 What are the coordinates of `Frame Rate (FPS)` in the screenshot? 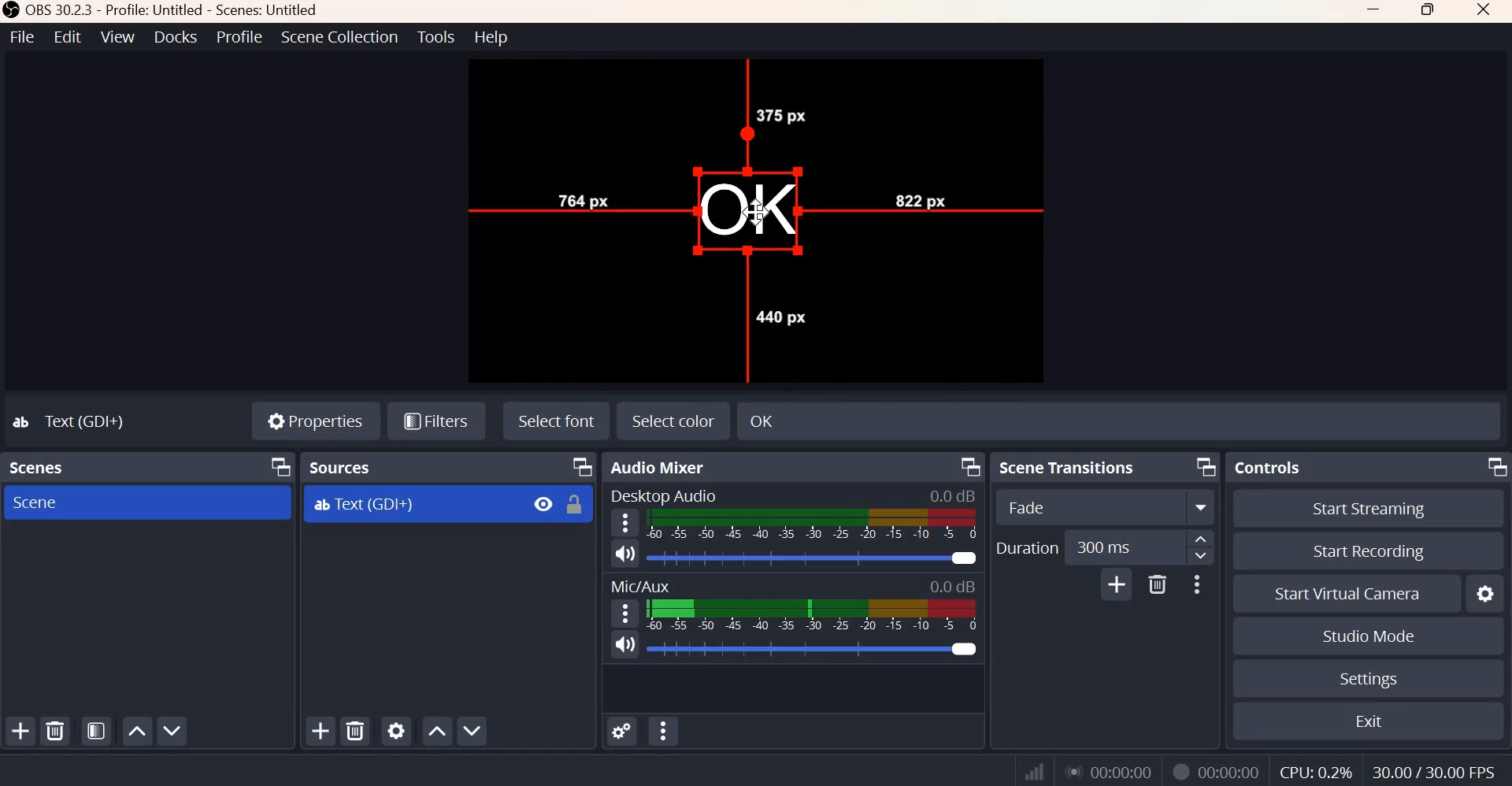 It's located at (1434, 772).